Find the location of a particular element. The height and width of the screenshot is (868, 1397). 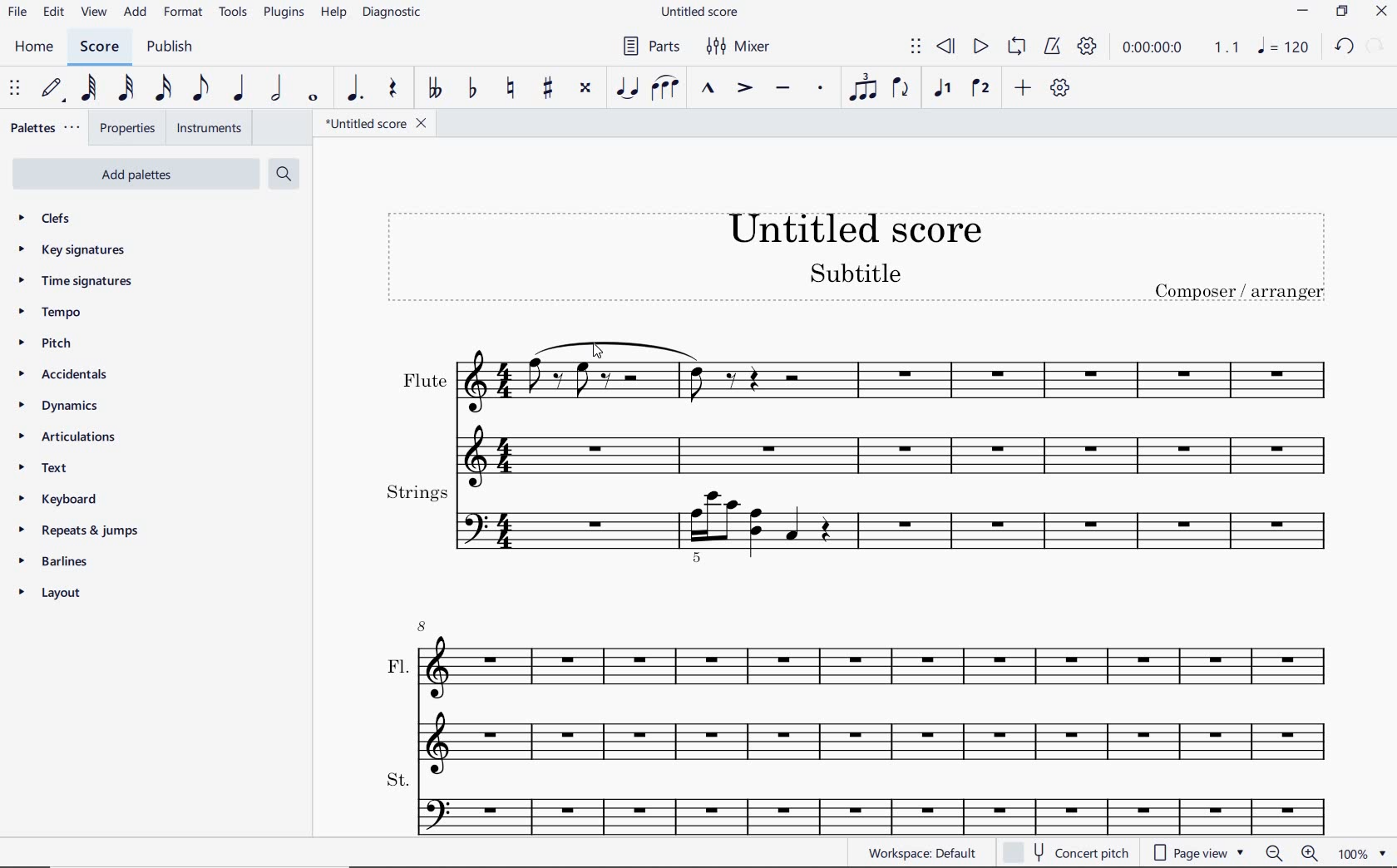

edit is located at coordinates (54, 13).